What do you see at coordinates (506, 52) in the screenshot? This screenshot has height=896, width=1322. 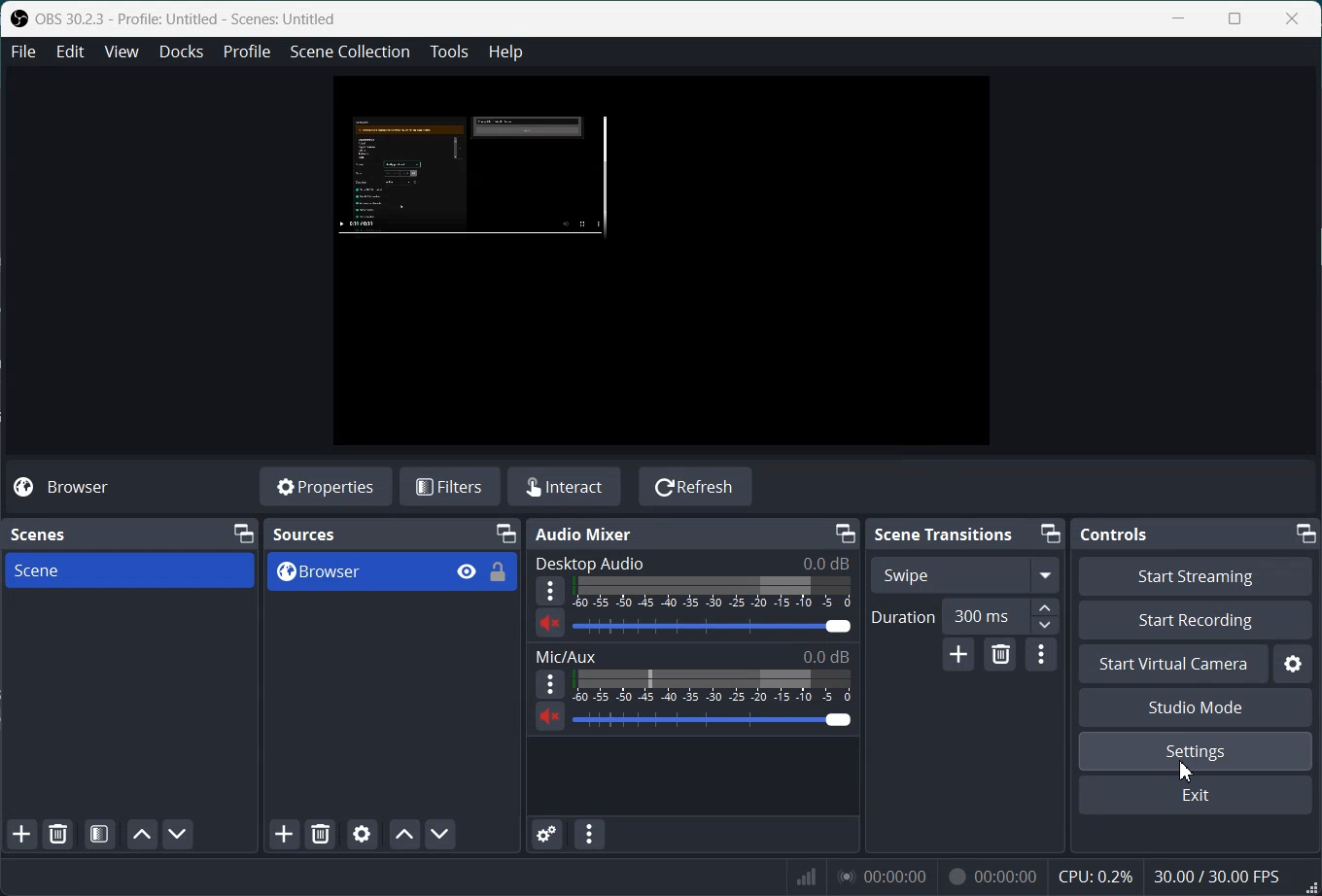 I see `Help` at bounding box center [506, 52].